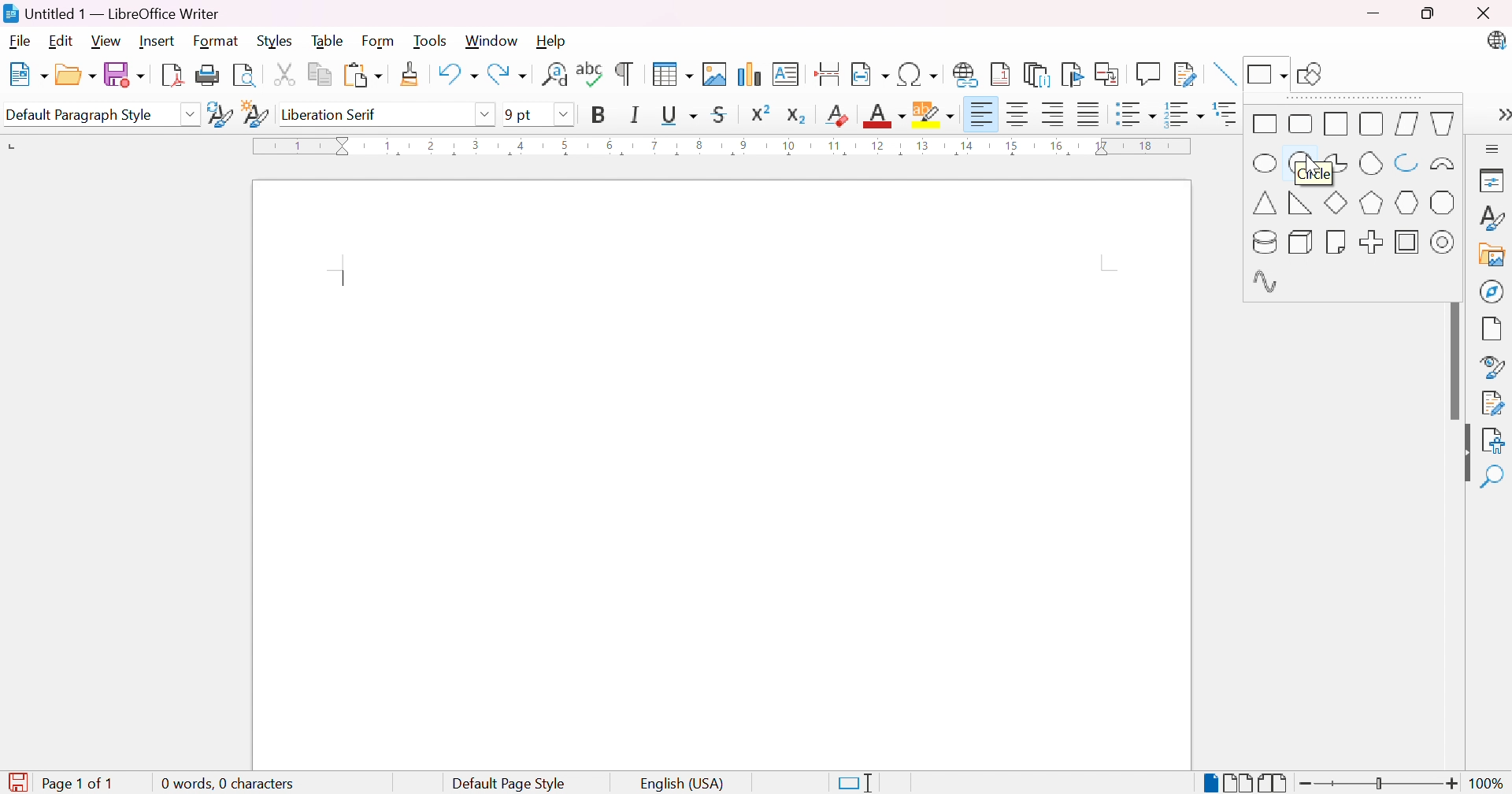  What do you see at coordinates (412, 74) in the screenshot?
I see `Clone formatting` at bounding box center [412, 74].